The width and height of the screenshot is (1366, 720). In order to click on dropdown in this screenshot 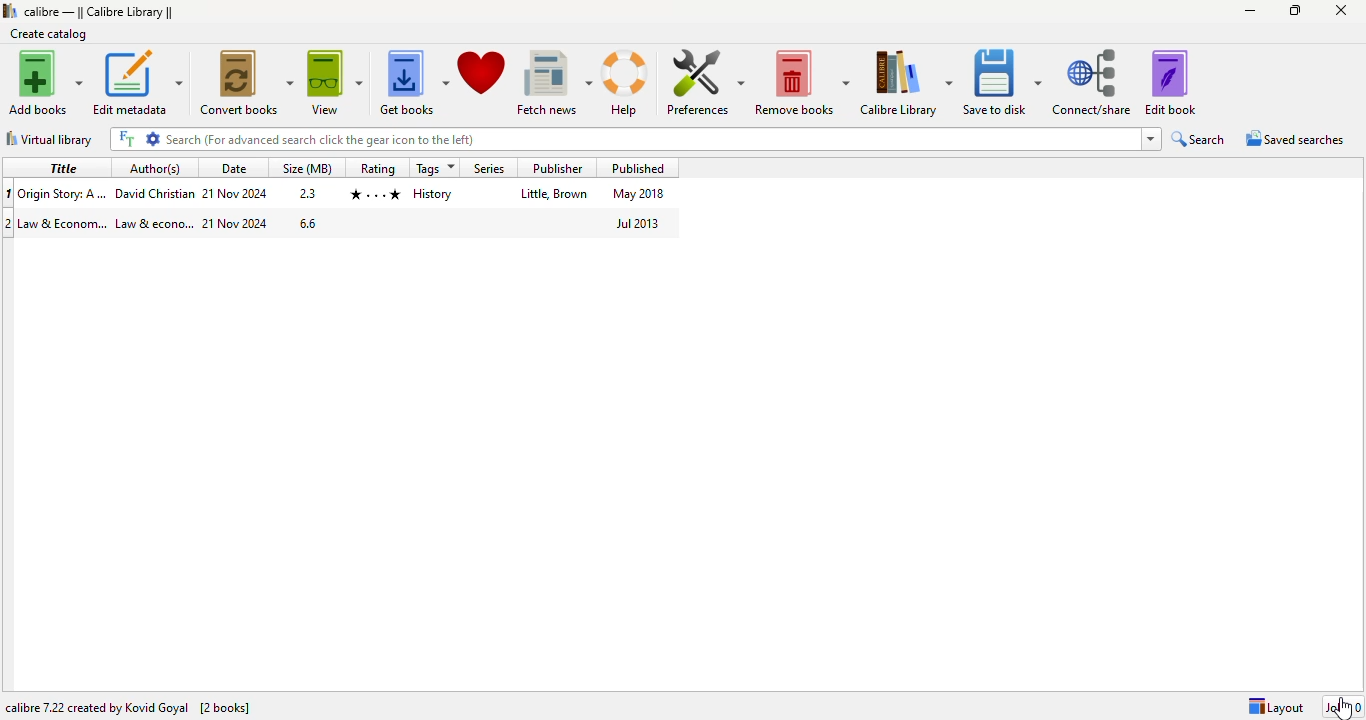, I will do `click(1151, 139)`.